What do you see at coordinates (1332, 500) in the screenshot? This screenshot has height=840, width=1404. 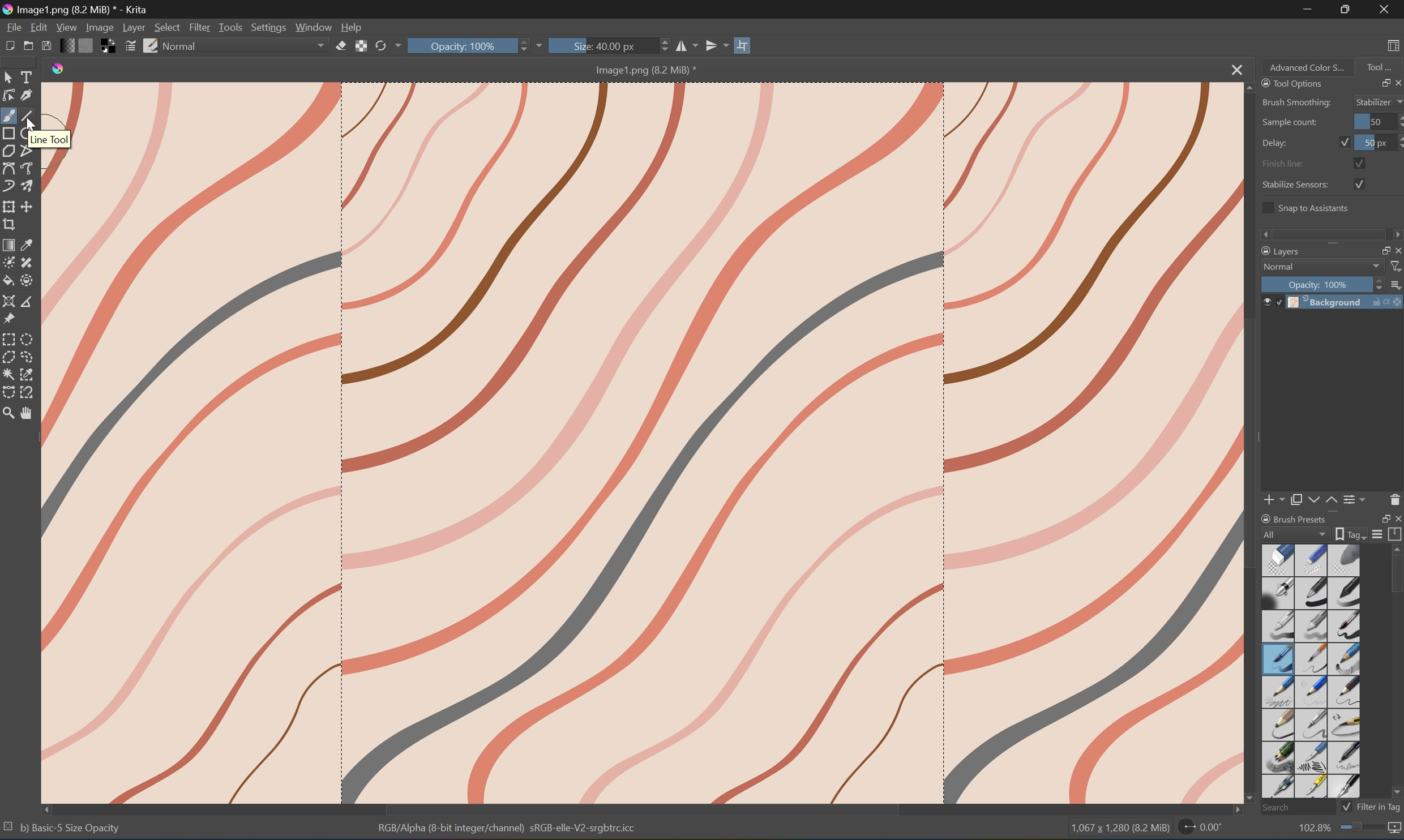 I see `Move layer or mask up` at bounding box center [1332, 500].